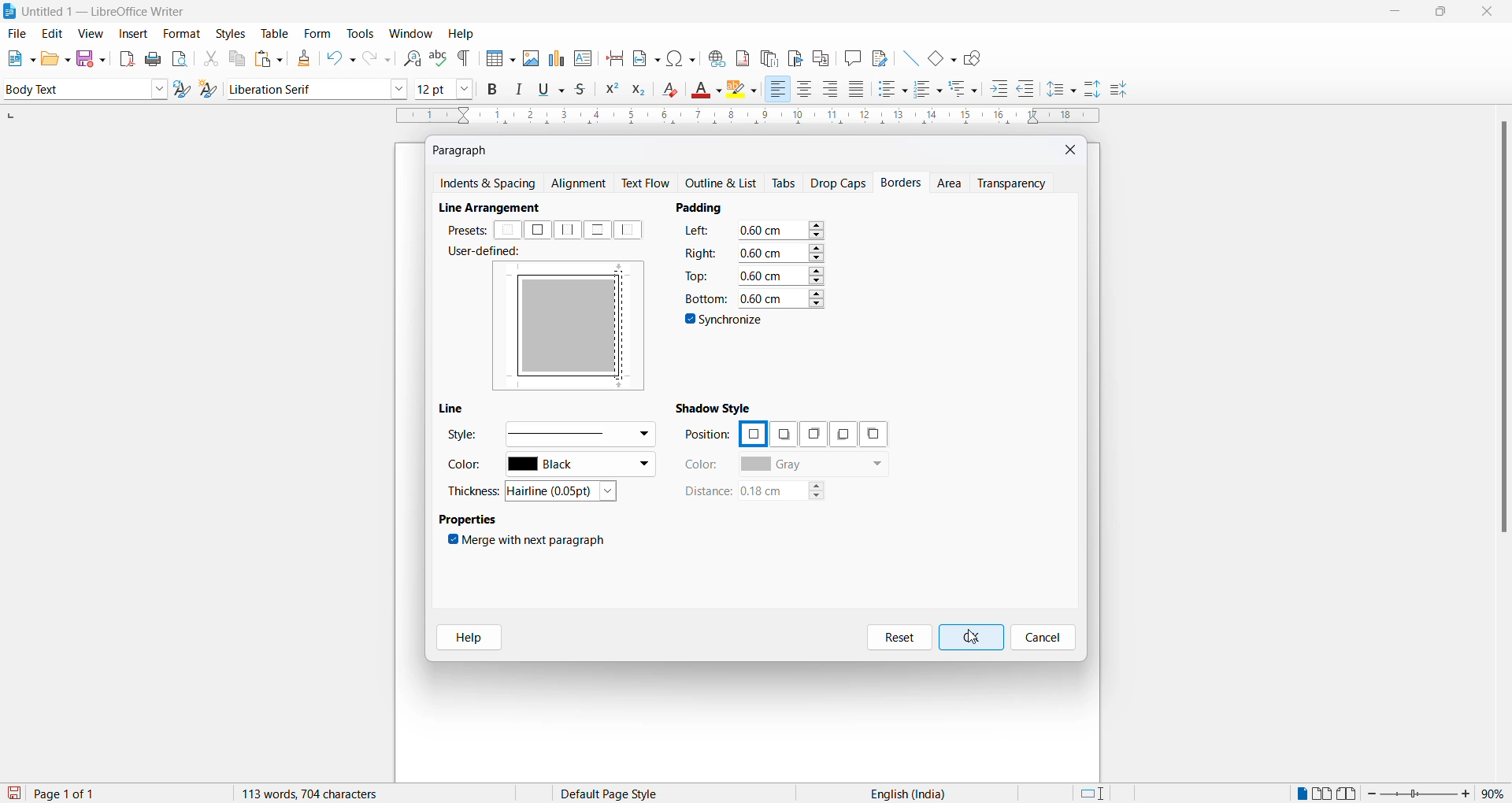  What do you see at coordinates (858, 91) in the screenshot?
I see `justified` at bounding box center [858, 91].